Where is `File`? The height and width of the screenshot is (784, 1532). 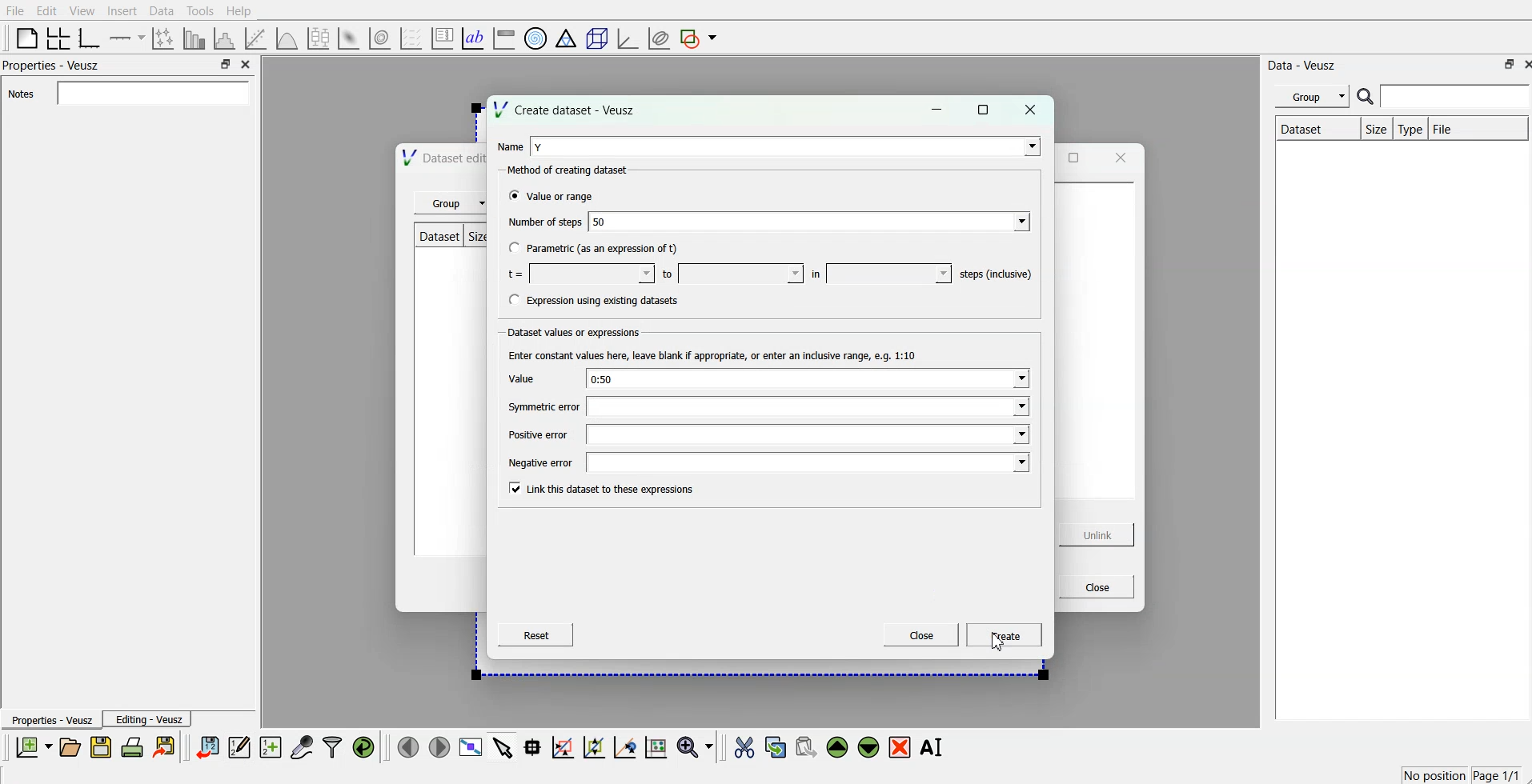 File is located at coordinates (1448, 126).